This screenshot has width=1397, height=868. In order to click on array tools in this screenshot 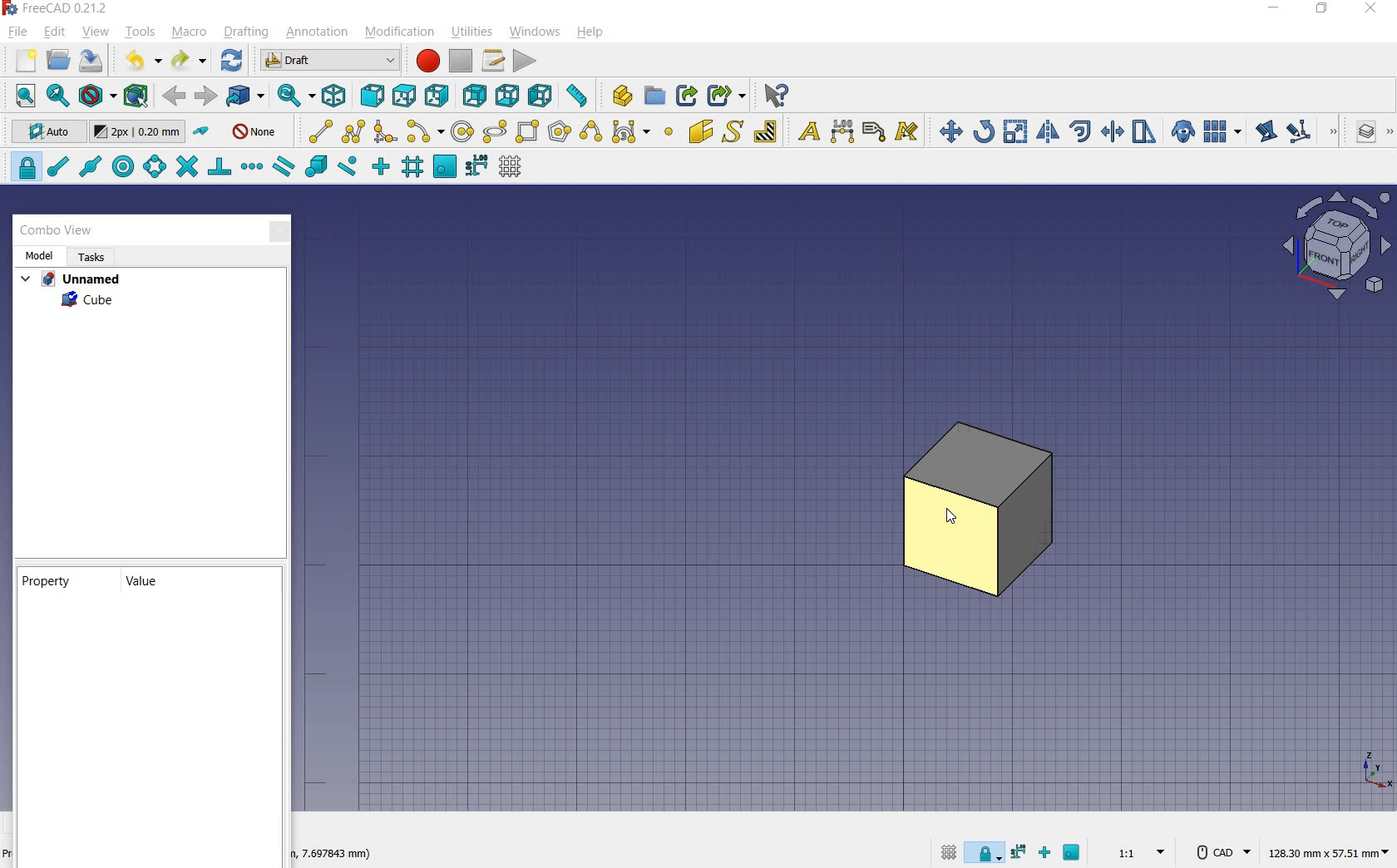, I will do `click(1221, 131)`.